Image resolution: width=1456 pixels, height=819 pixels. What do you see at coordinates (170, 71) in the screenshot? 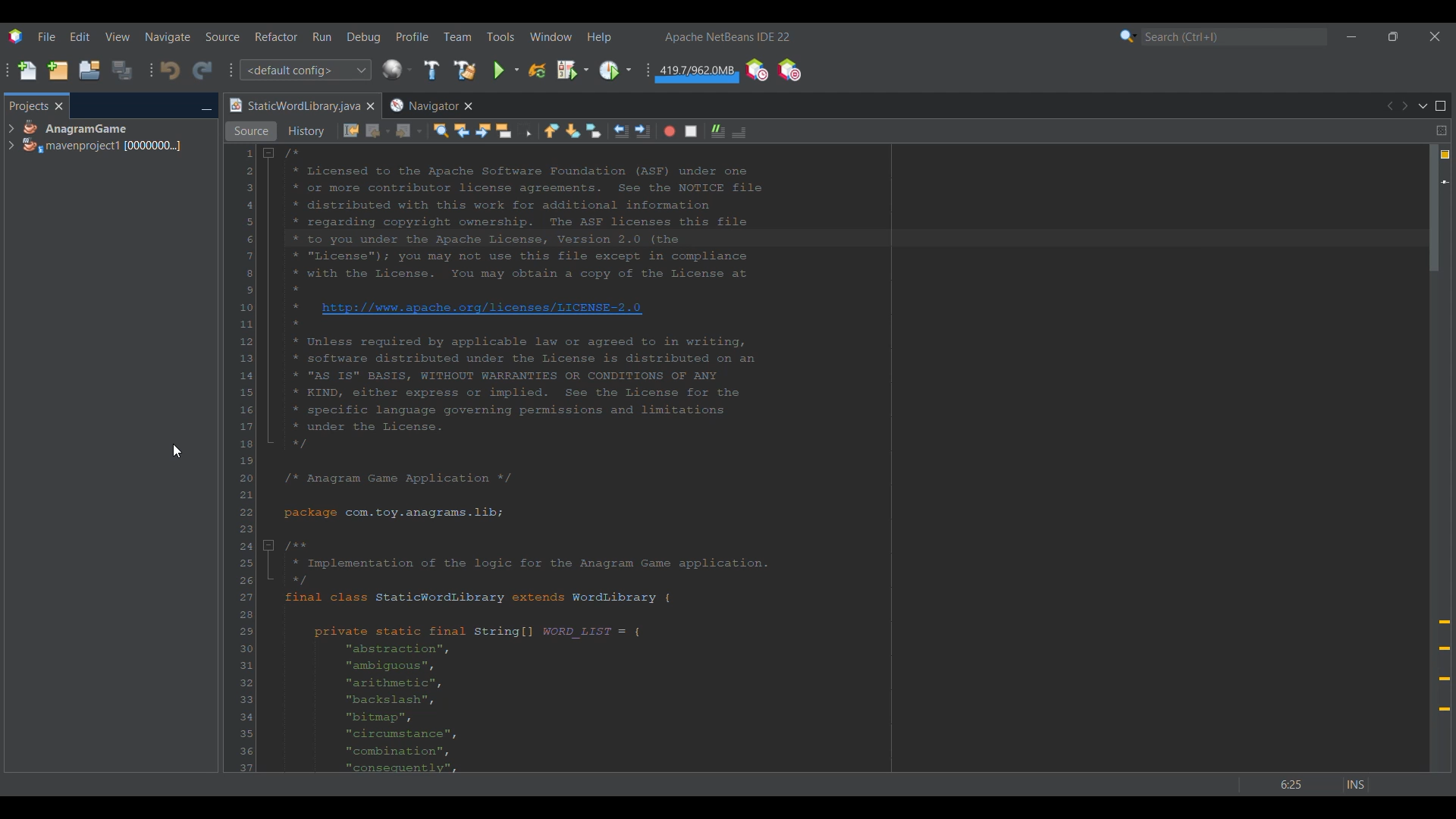
I see `Undo` at bounding box center [170, 71].